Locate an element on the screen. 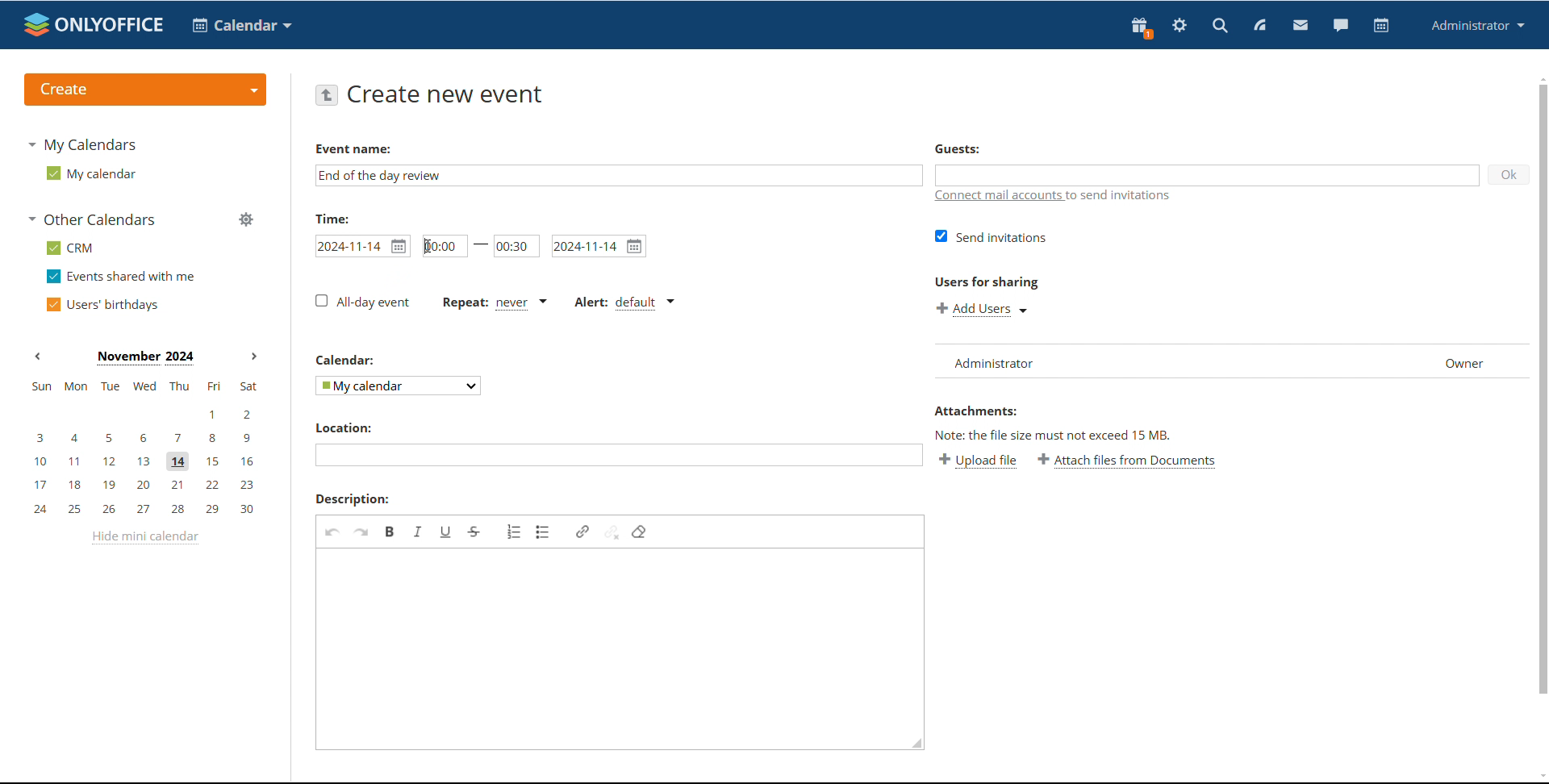  calendar is located at coordinates (347, 360).